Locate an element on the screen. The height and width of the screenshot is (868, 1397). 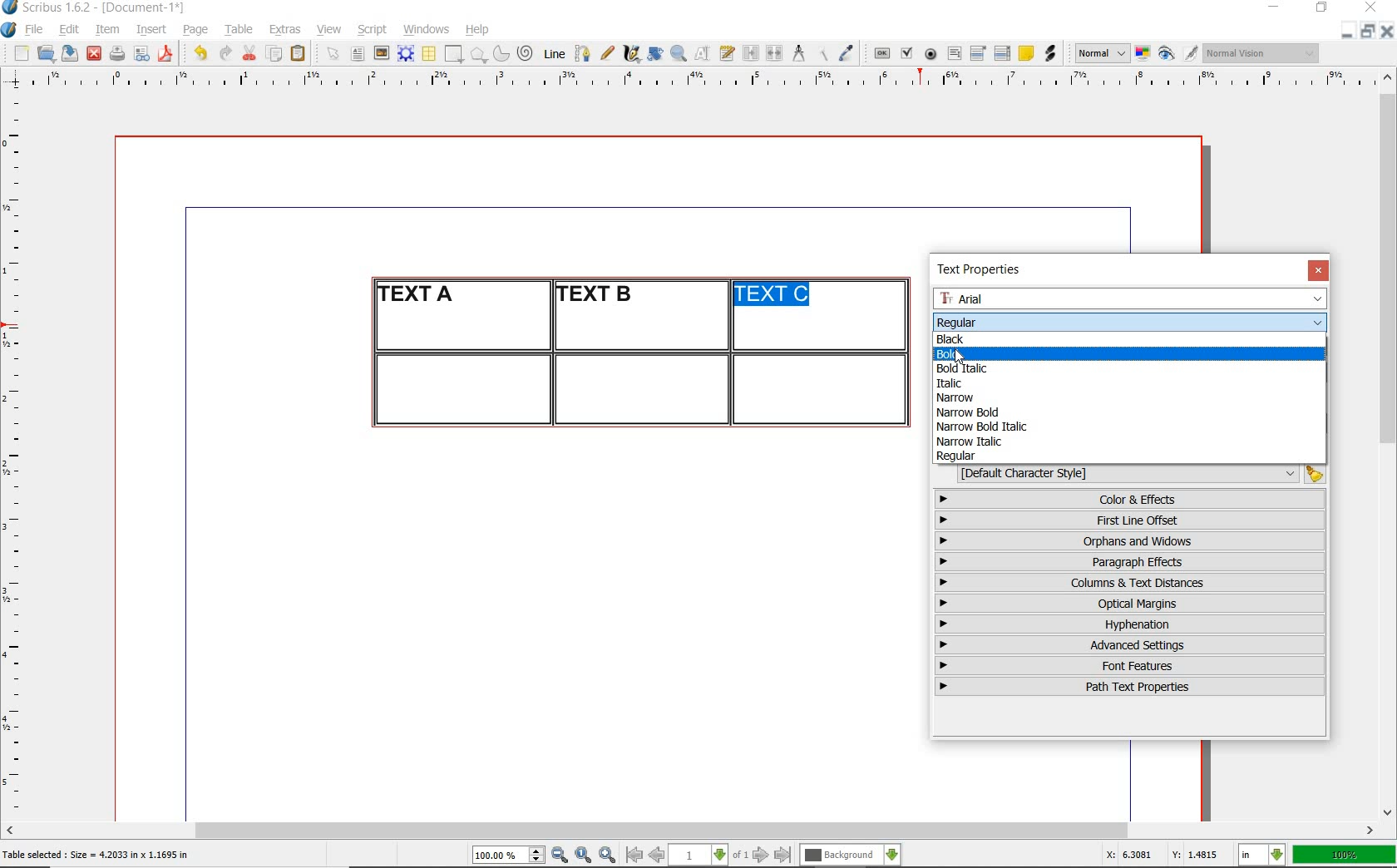
Bezier curve is located at coordinates (581, 53).